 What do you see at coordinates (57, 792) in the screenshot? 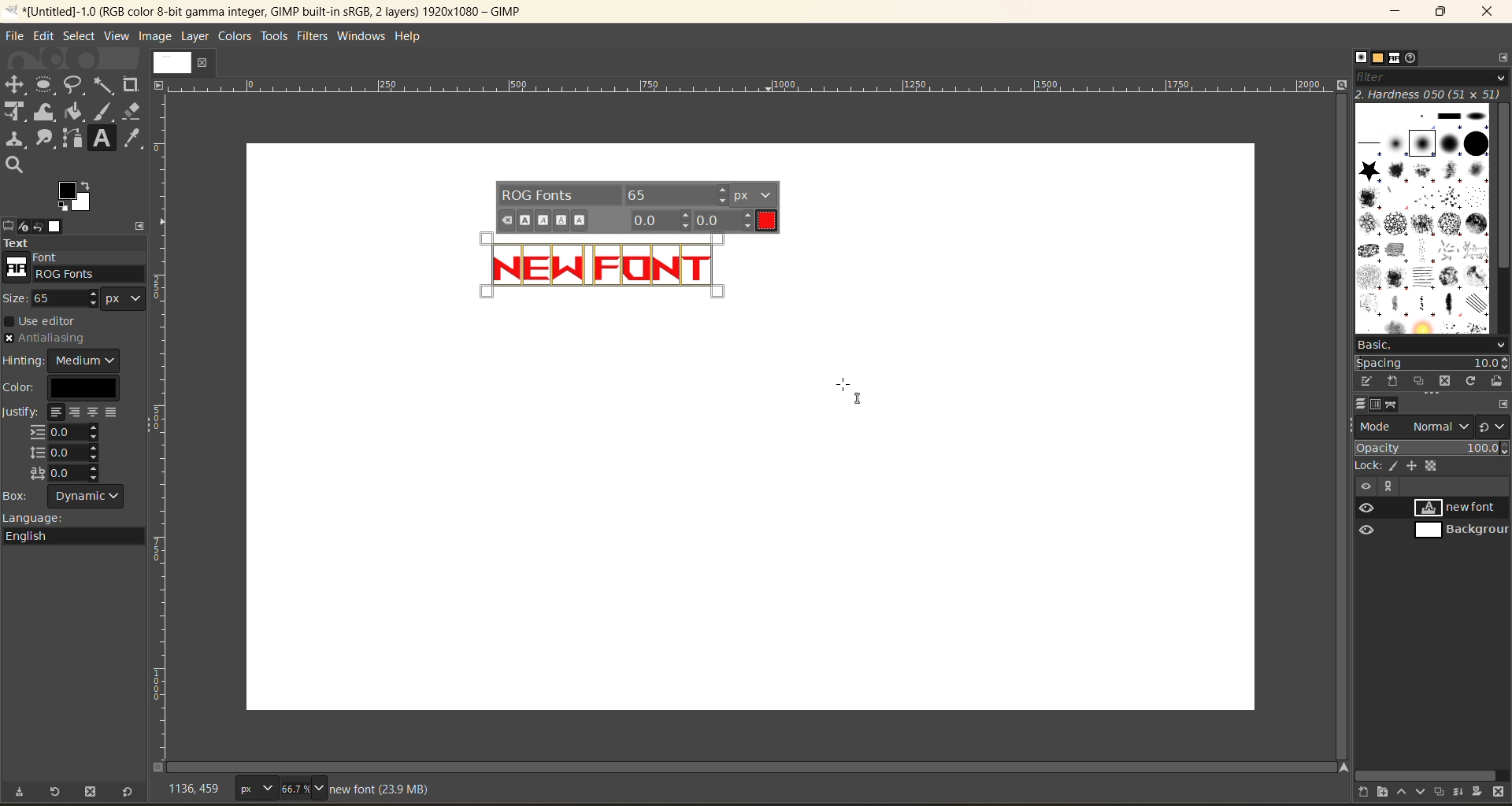
I see `restore tool preset` at bounding box center [57, 792].